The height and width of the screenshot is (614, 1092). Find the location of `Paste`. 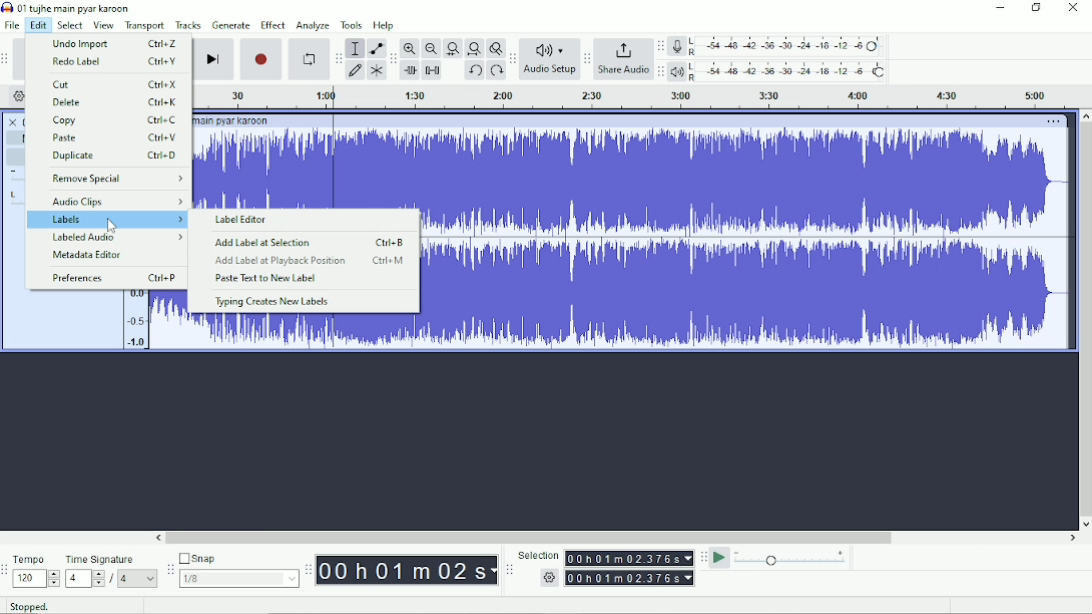

Paste is located at coordinates (114, 138).